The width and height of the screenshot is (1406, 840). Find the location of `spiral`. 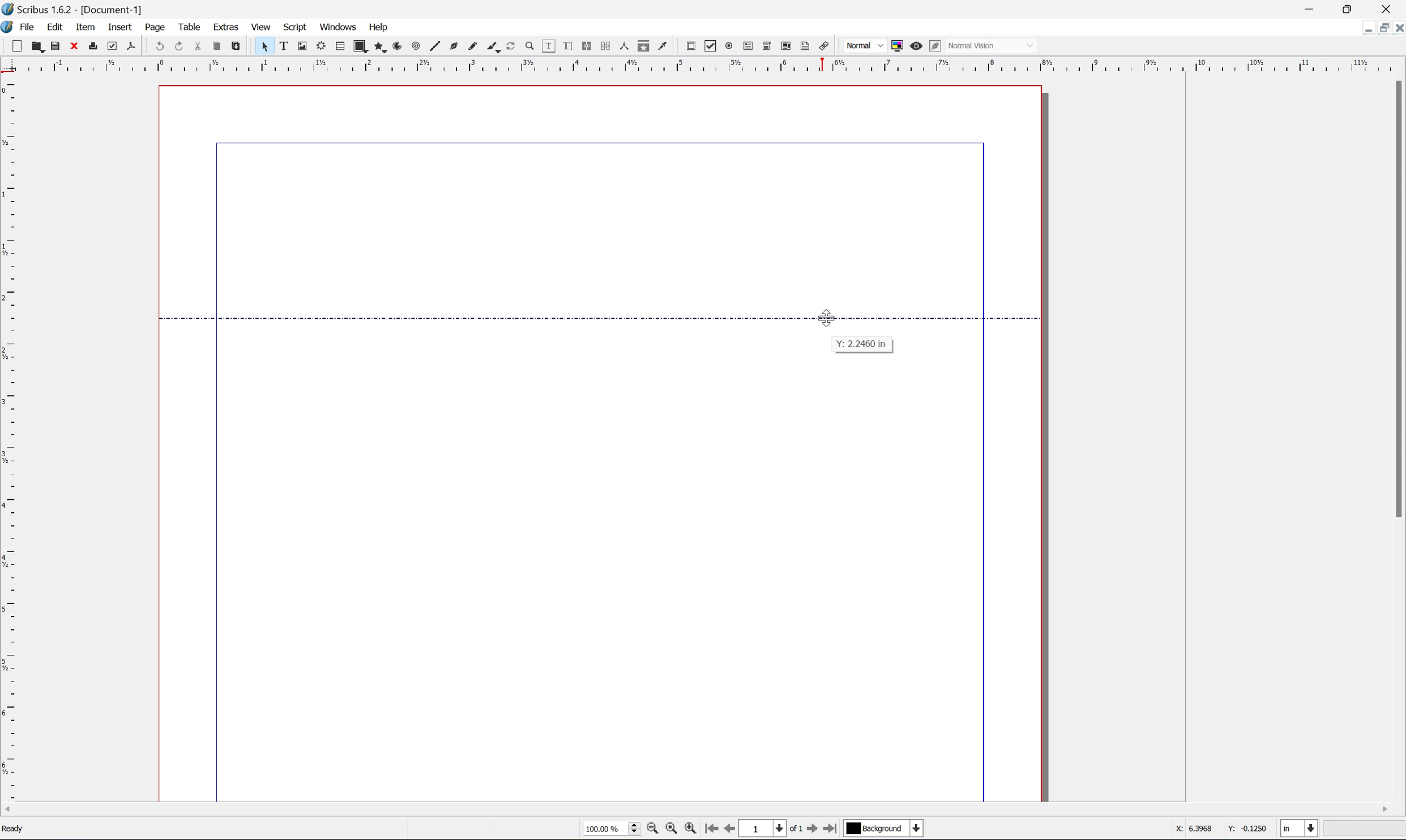

spiral is located at coordinates (416, 47).